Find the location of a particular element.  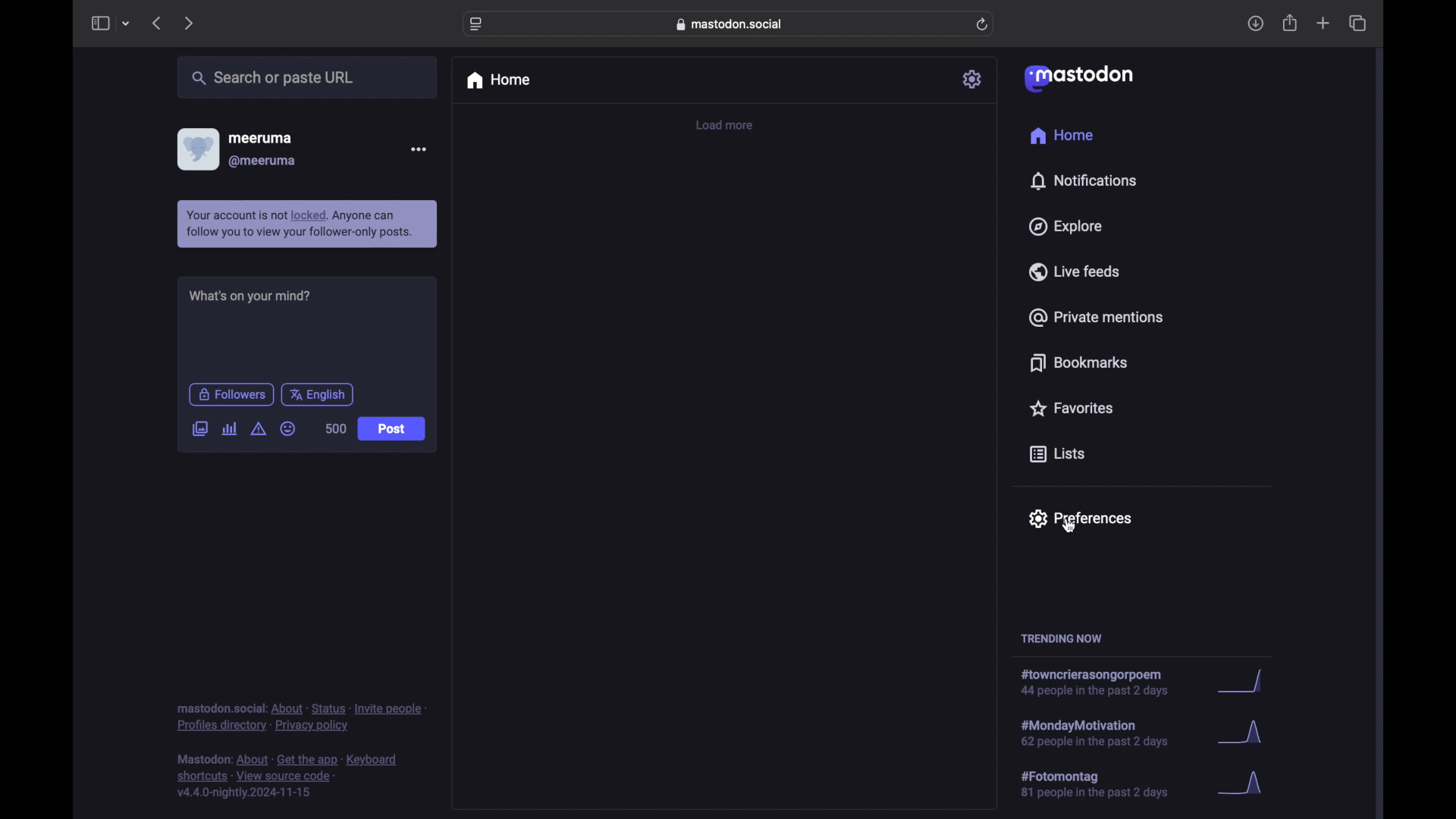

website settings is located at coordinates (476, 24).